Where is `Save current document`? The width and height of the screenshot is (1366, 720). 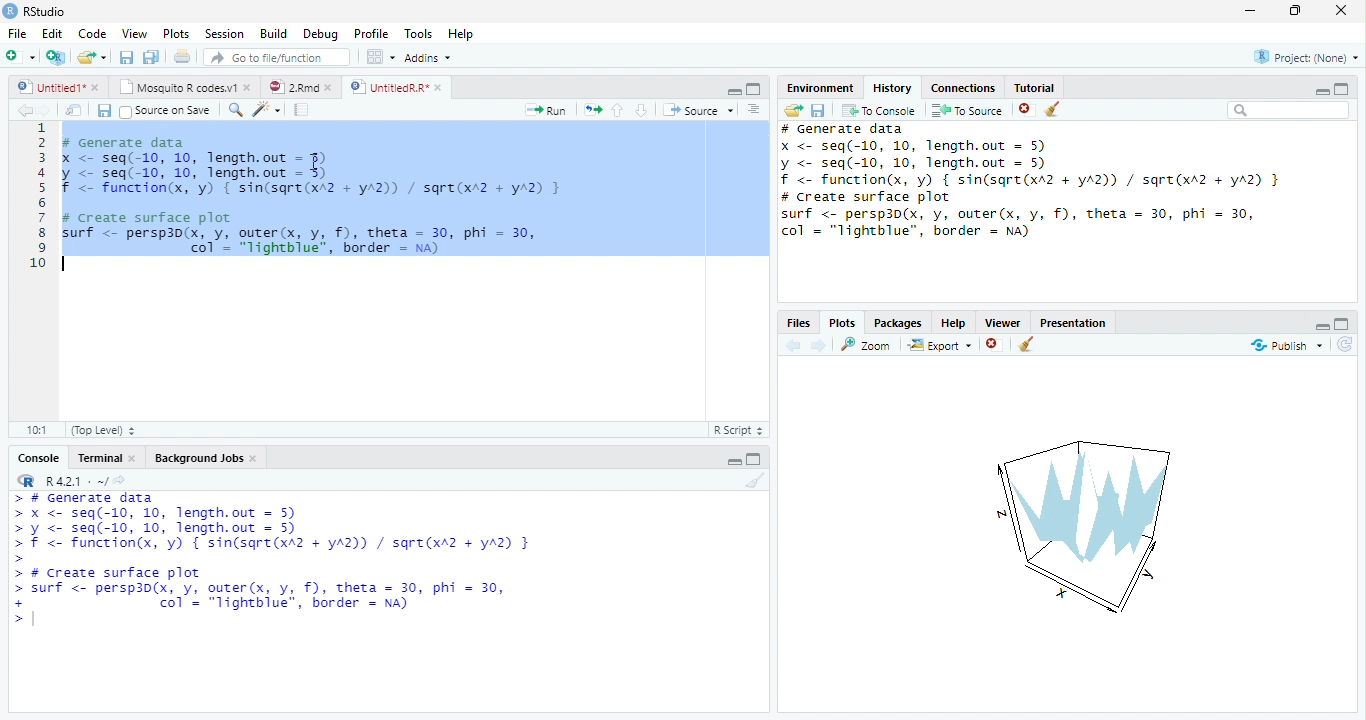 Save current document is located at coordinates (103, 110).